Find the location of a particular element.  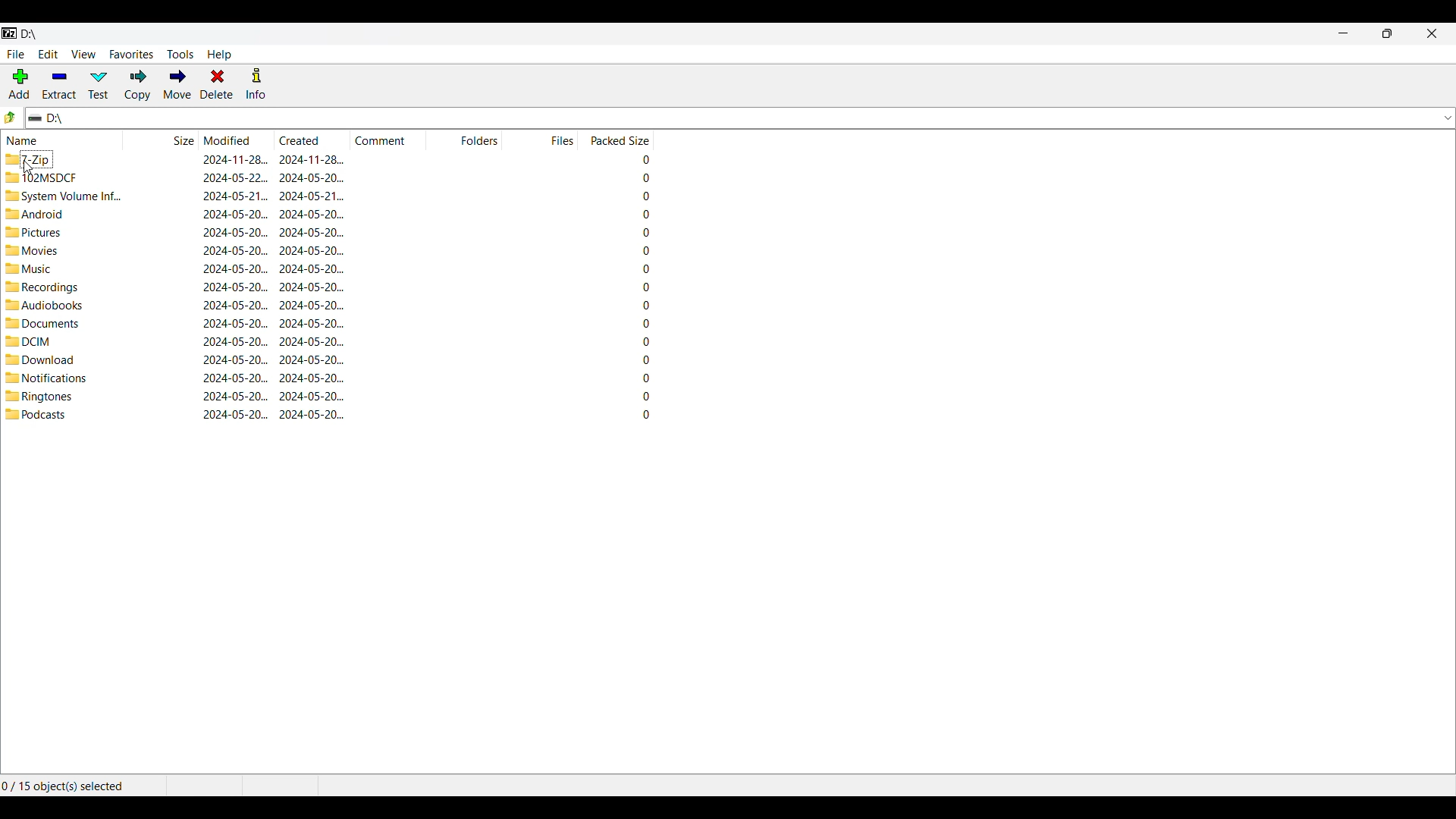

Help menu is located at coordinates (219, 55).